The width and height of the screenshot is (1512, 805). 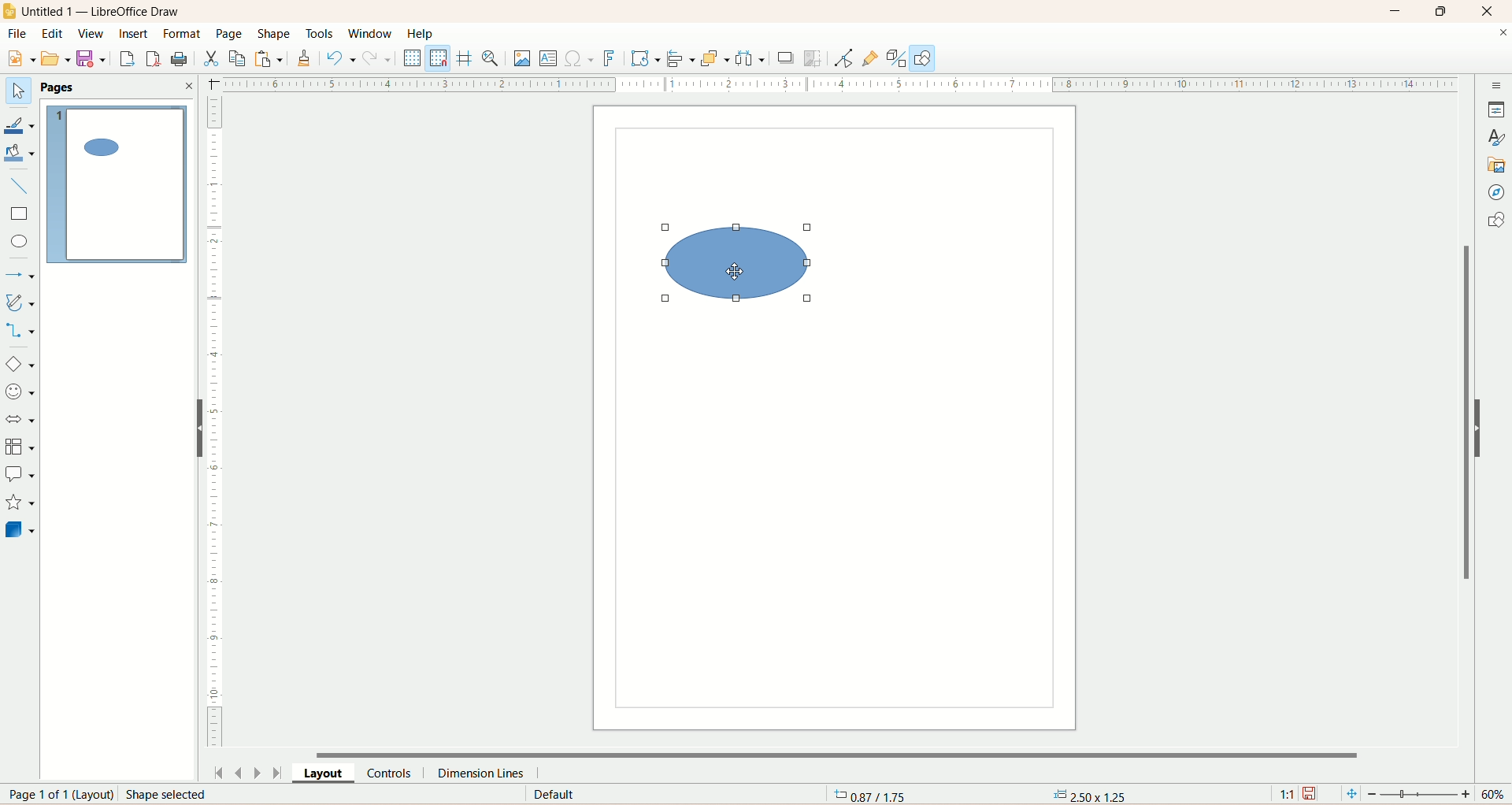 What do you see at coordinates (188, 87) in the screenshot?
I see `close` at bounding box center [188, 87].